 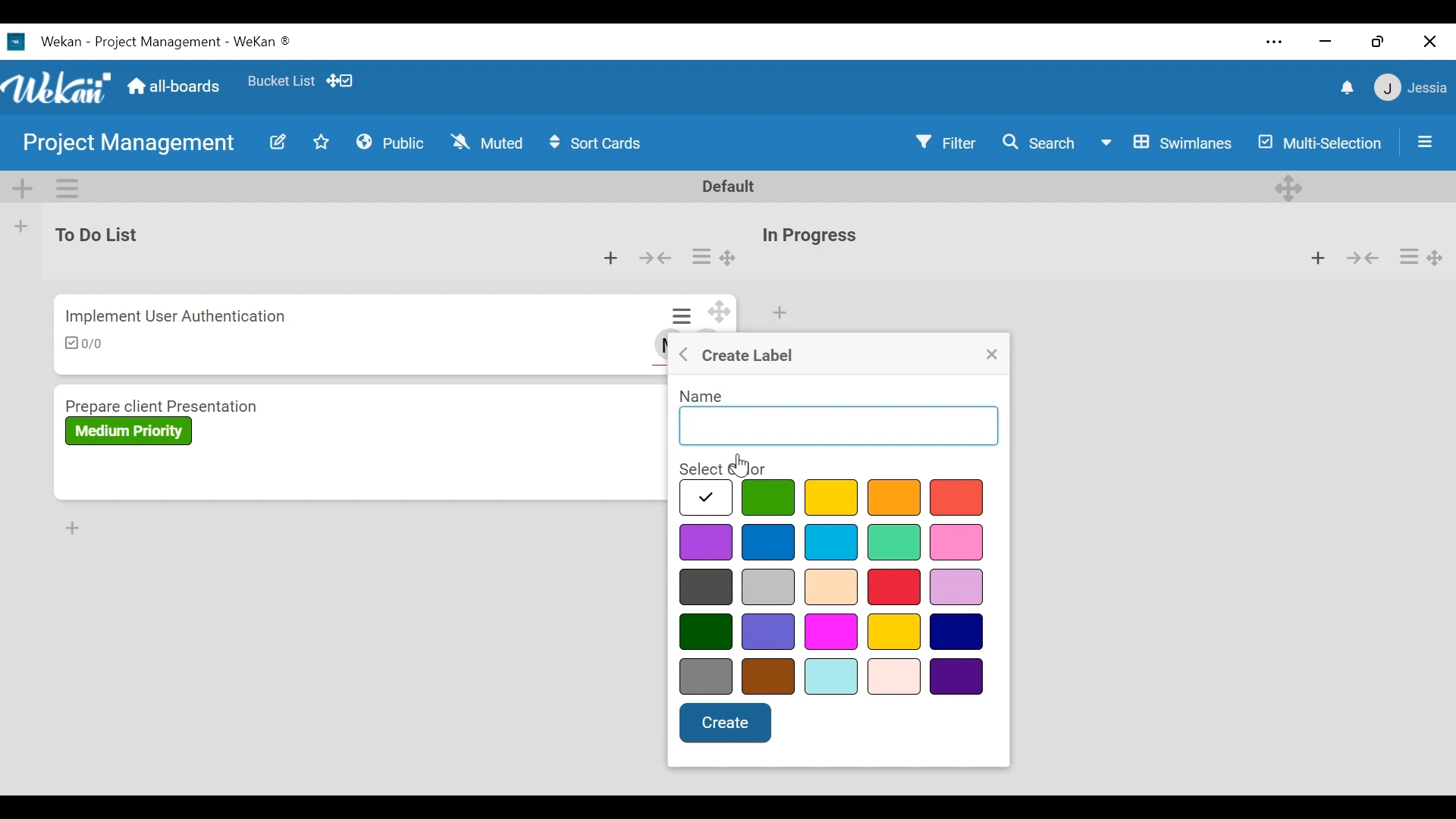 What do you see at coordinates (742, 466) in the screenshot?
I see `cursor` at bounding box center [742, 466].